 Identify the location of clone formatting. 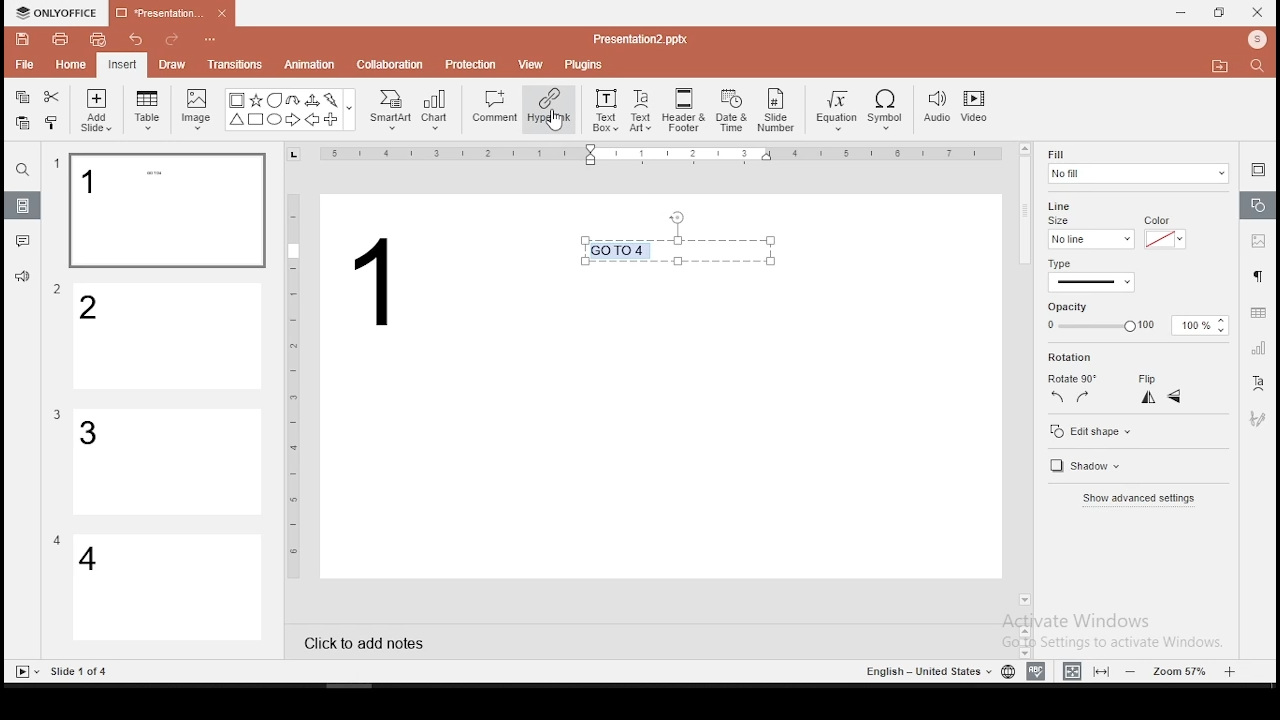
(52, 122).